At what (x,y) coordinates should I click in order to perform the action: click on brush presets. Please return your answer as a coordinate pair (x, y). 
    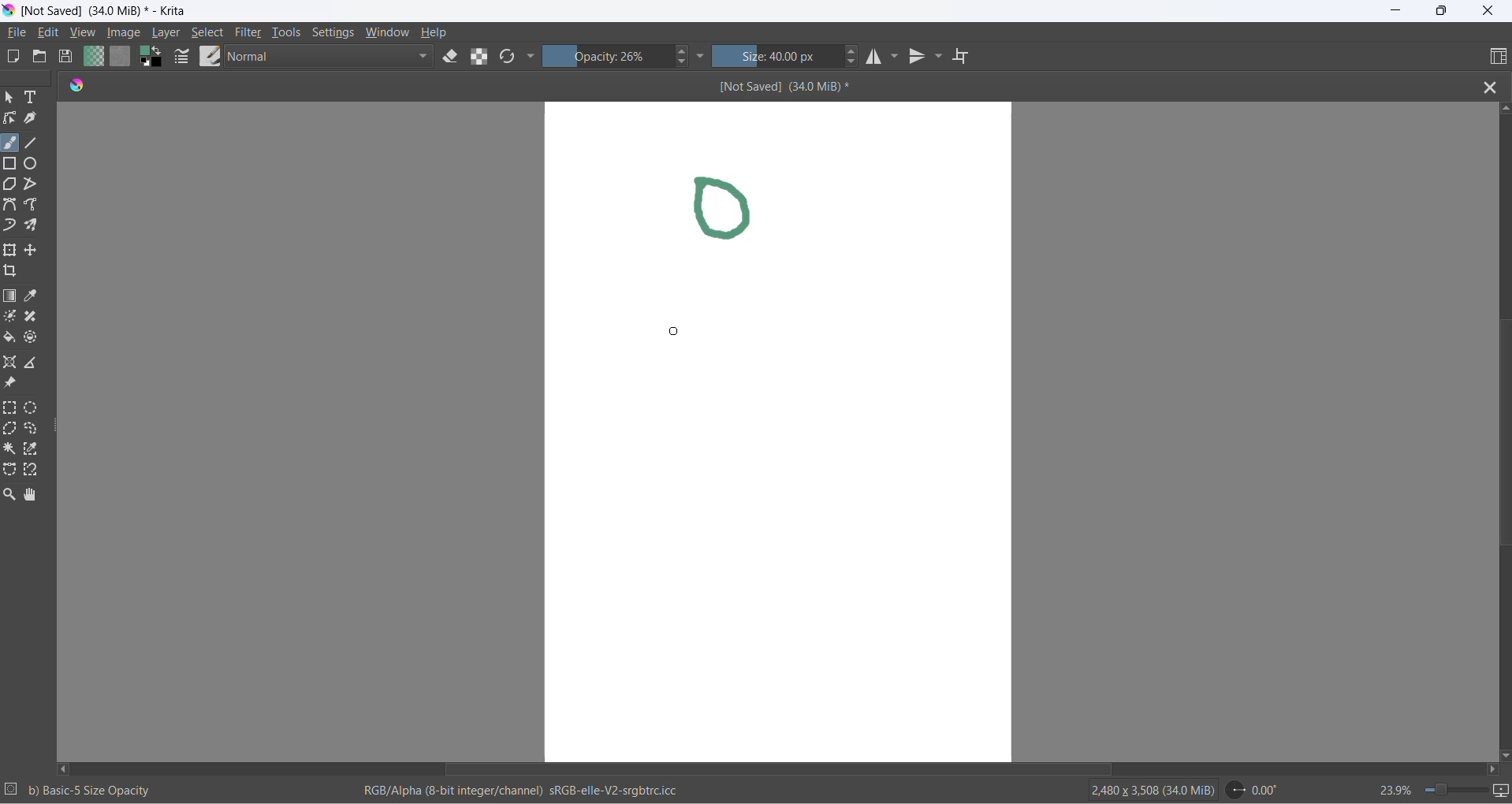
    Looking at the image, I should click on (207, 58).